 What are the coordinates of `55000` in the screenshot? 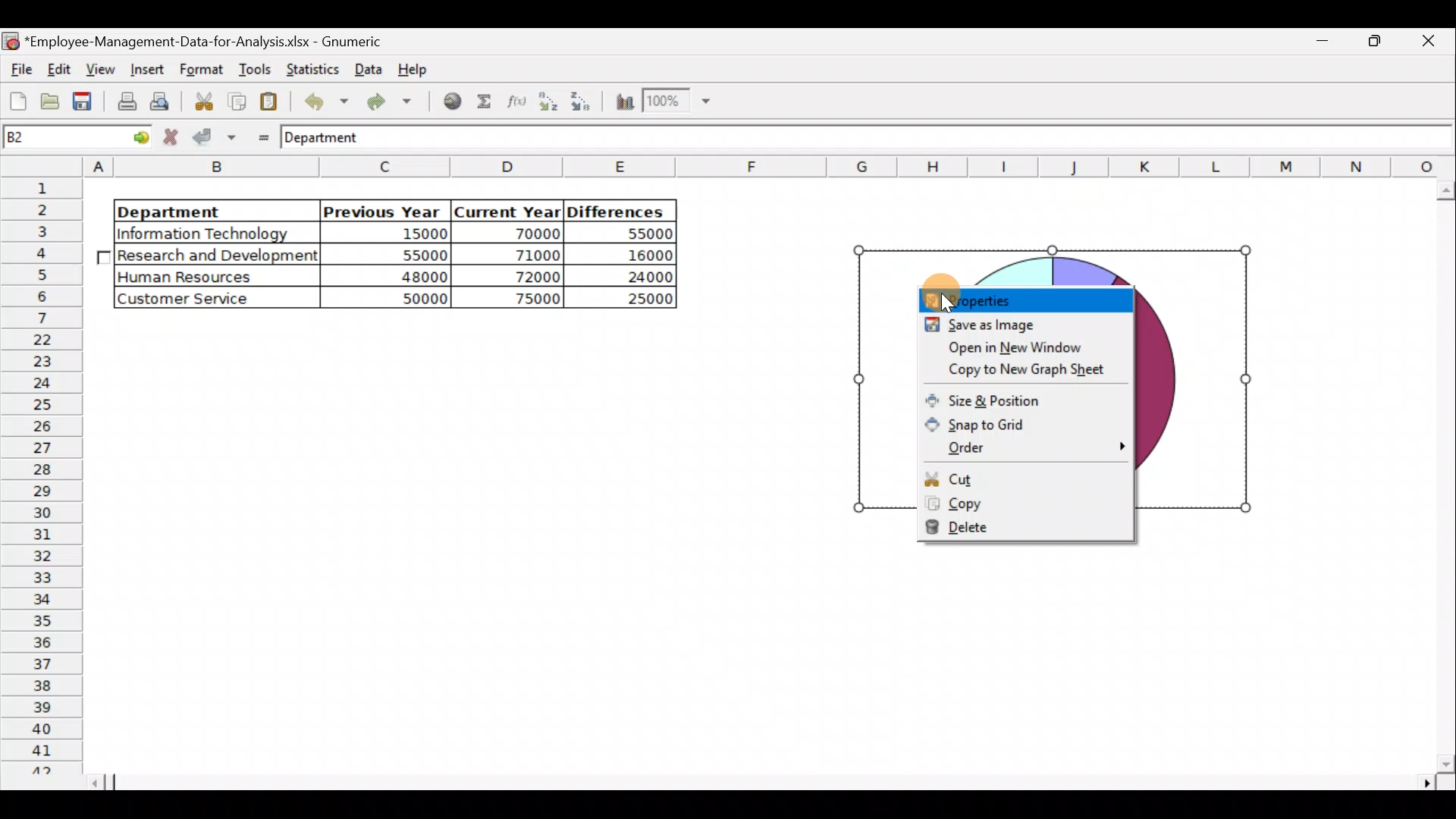 It's located at (642, 234).